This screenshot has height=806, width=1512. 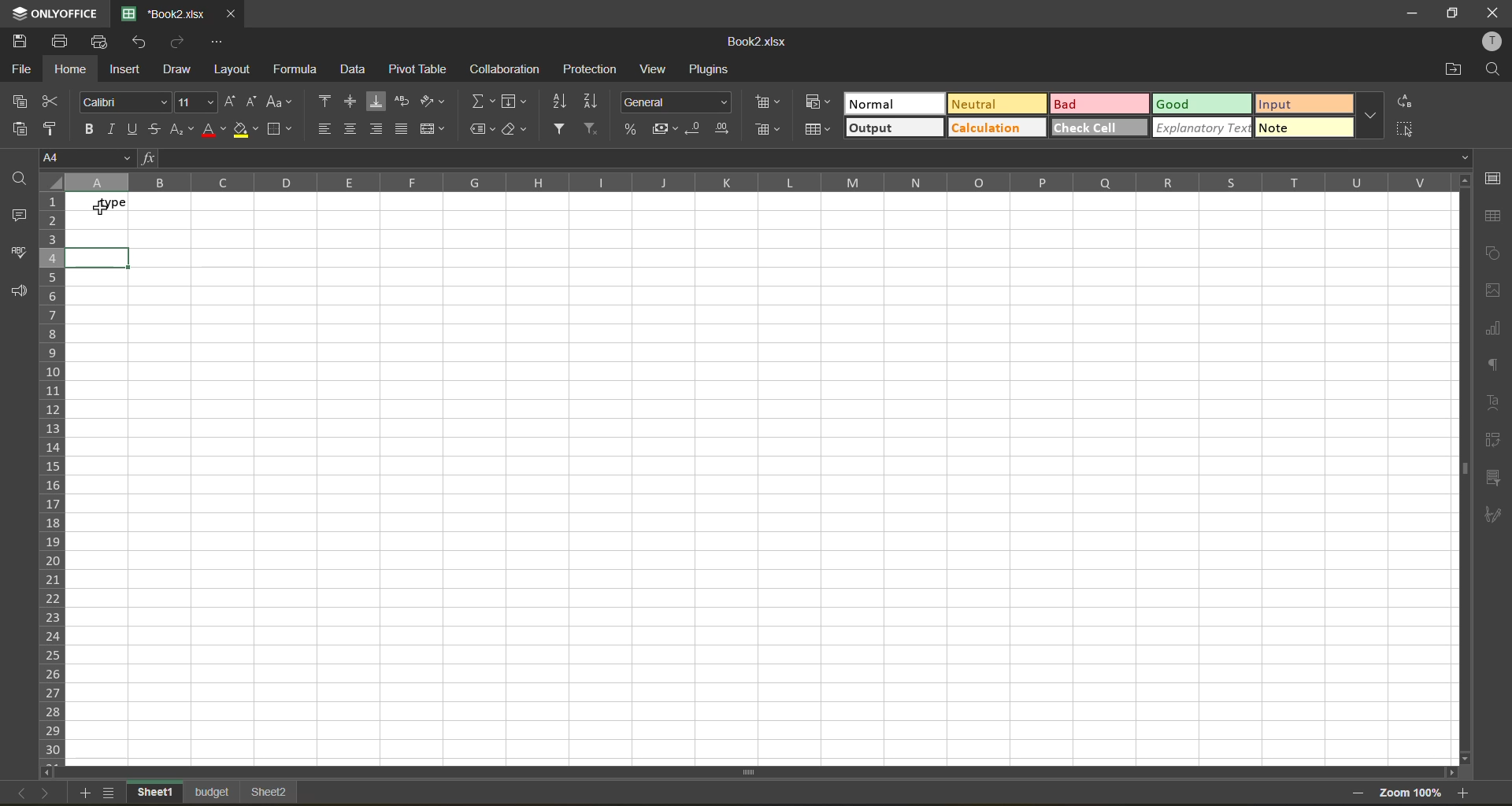 What do you see at coordinates (821, 131) in the screenshot?
I see `format as table` at bounding box center [821, 131].